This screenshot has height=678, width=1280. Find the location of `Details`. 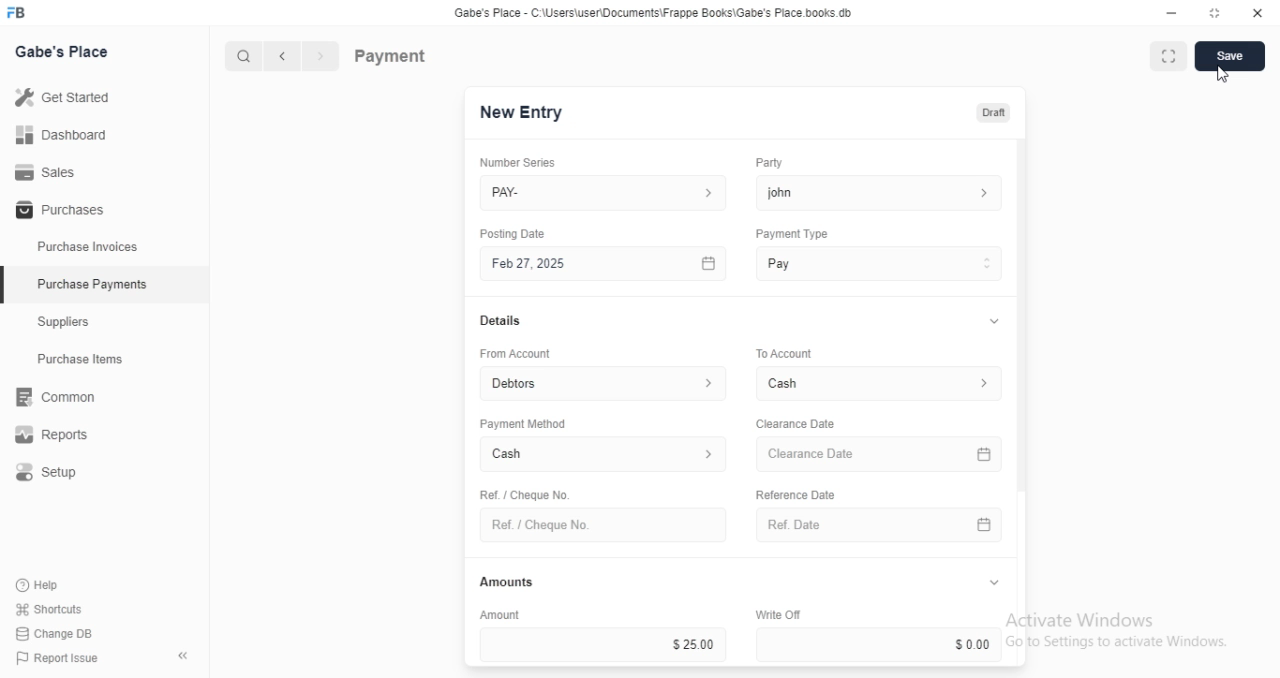

Details is located at coordinates (498, 321).